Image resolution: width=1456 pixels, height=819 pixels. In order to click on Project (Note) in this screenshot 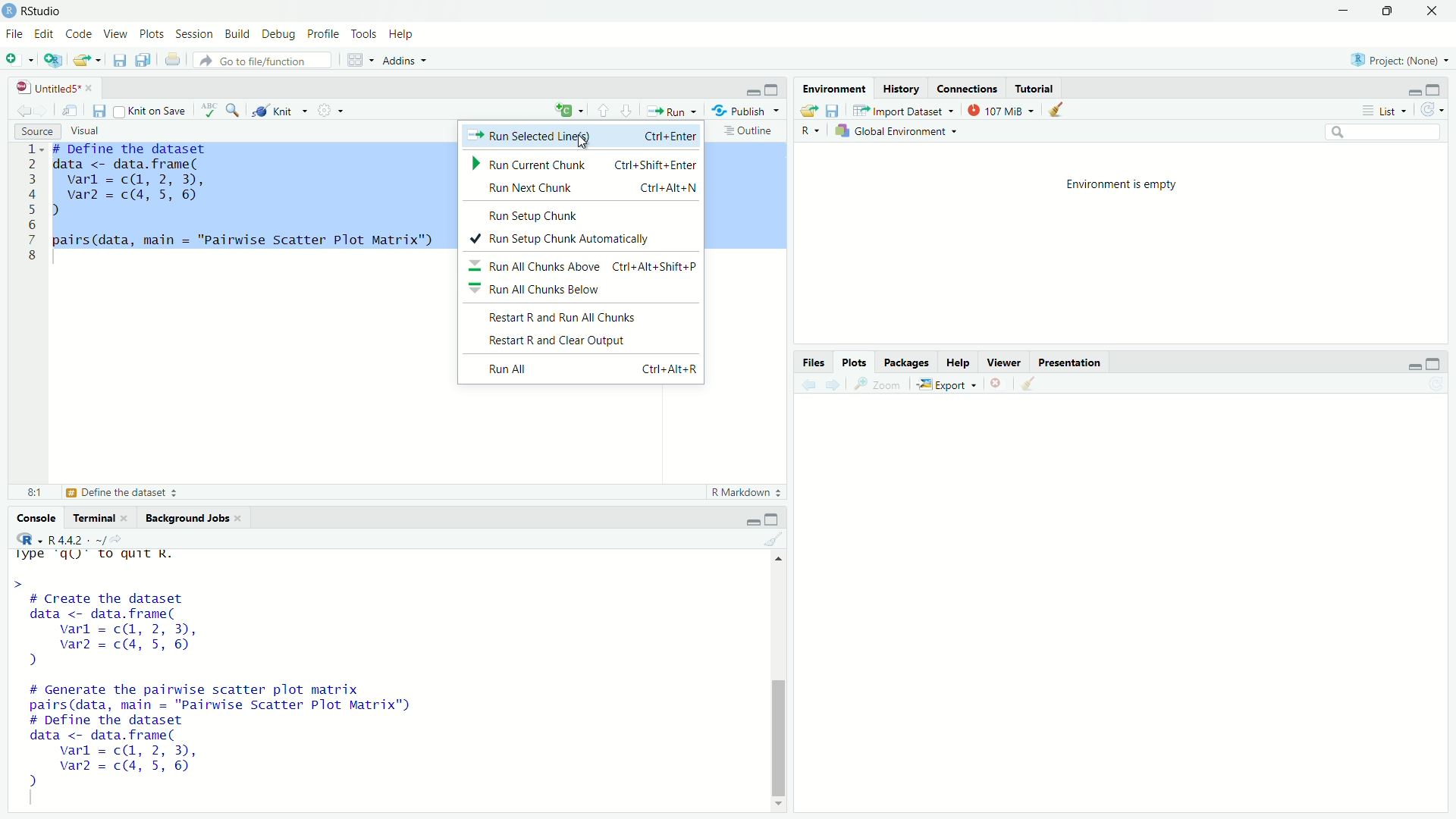, I will do `click(1400, 60)`.